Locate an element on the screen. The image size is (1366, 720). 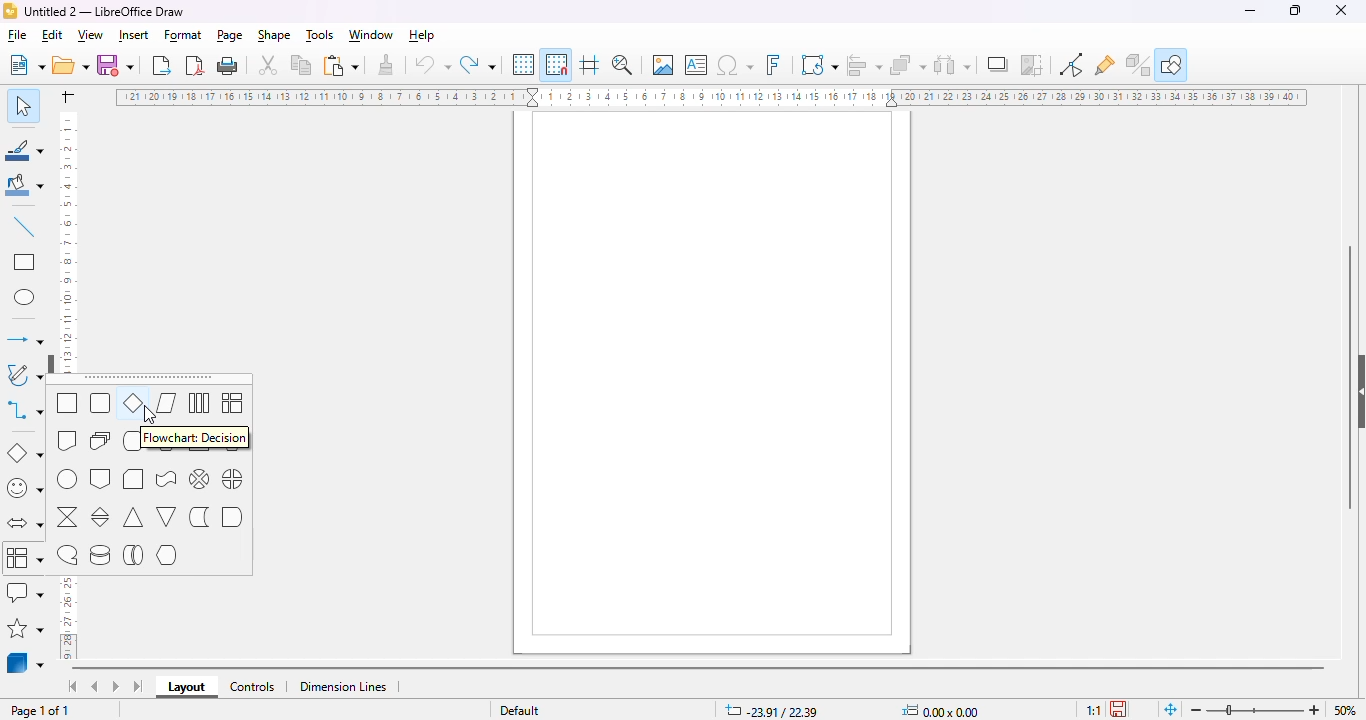
slide master name is located at coordinates (518, 711).